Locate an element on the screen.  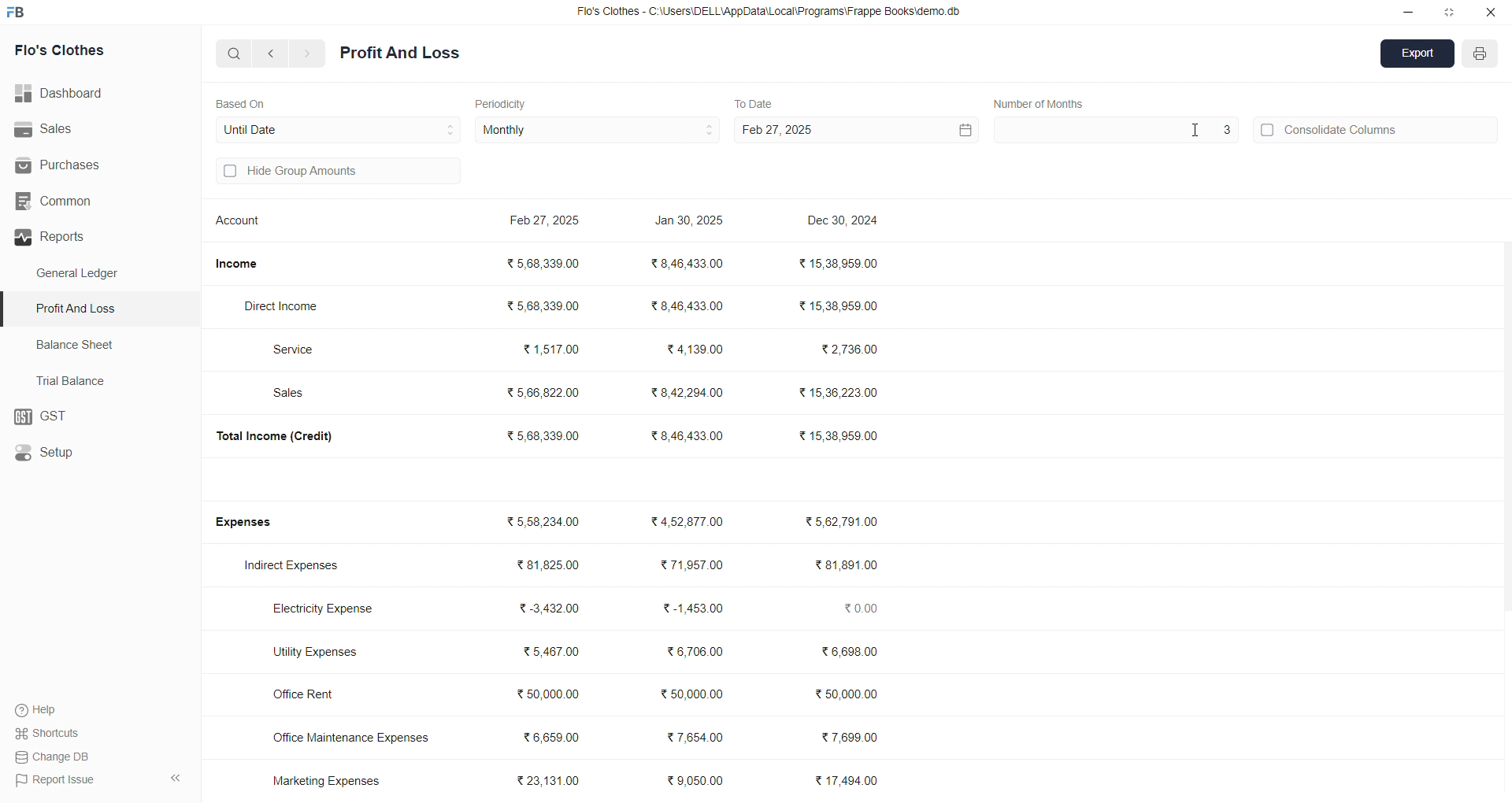
₹81,891.00 is located at coordinates (847, 565).